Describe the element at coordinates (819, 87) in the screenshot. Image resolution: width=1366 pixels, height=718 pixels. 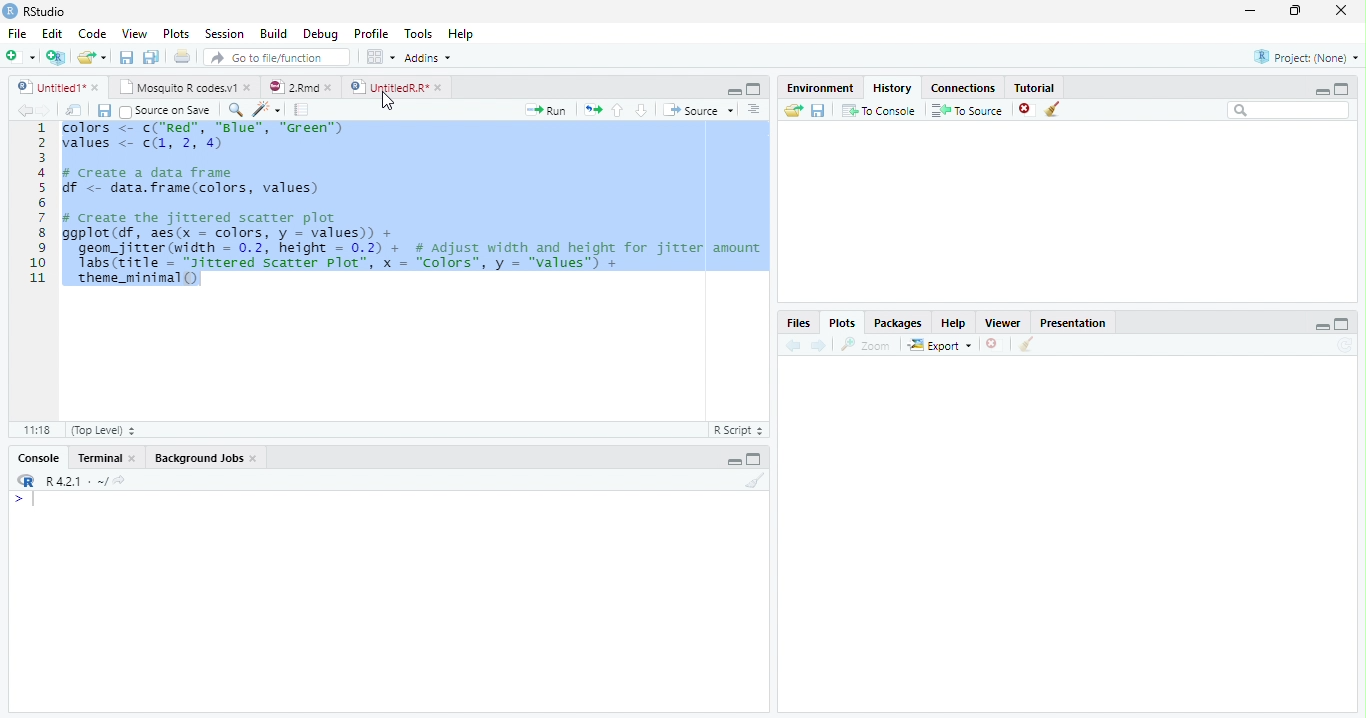
I see `Environment` at that location.